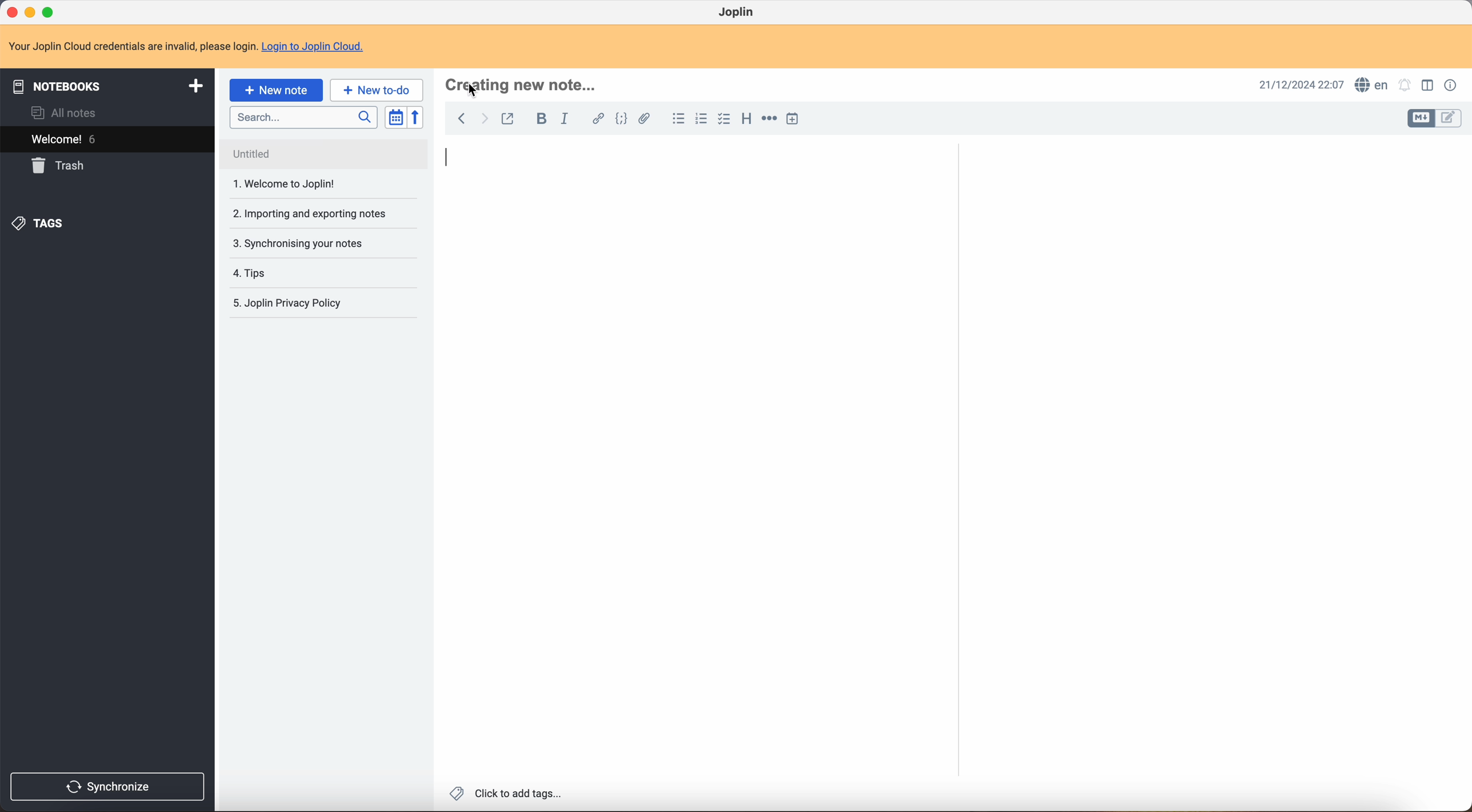 The width and height of the screenshot is (1472, 812). What do you see at coordinates (61, 166) in the screenshot?
I see `trash` at bounding box center [61, 166].